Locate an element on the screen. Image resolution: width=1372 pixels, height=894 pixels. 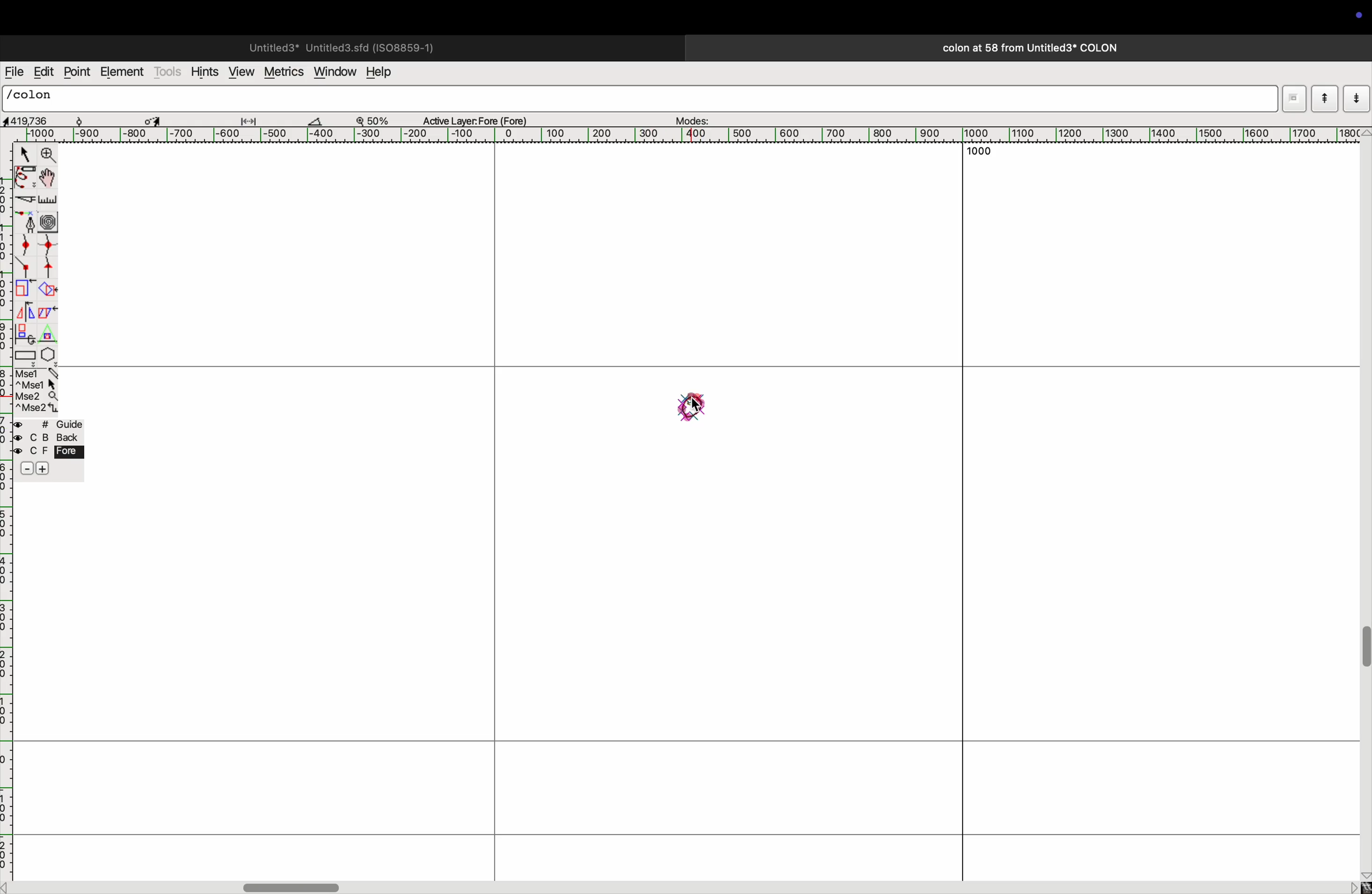
knife is located at coordinates (24, 201).